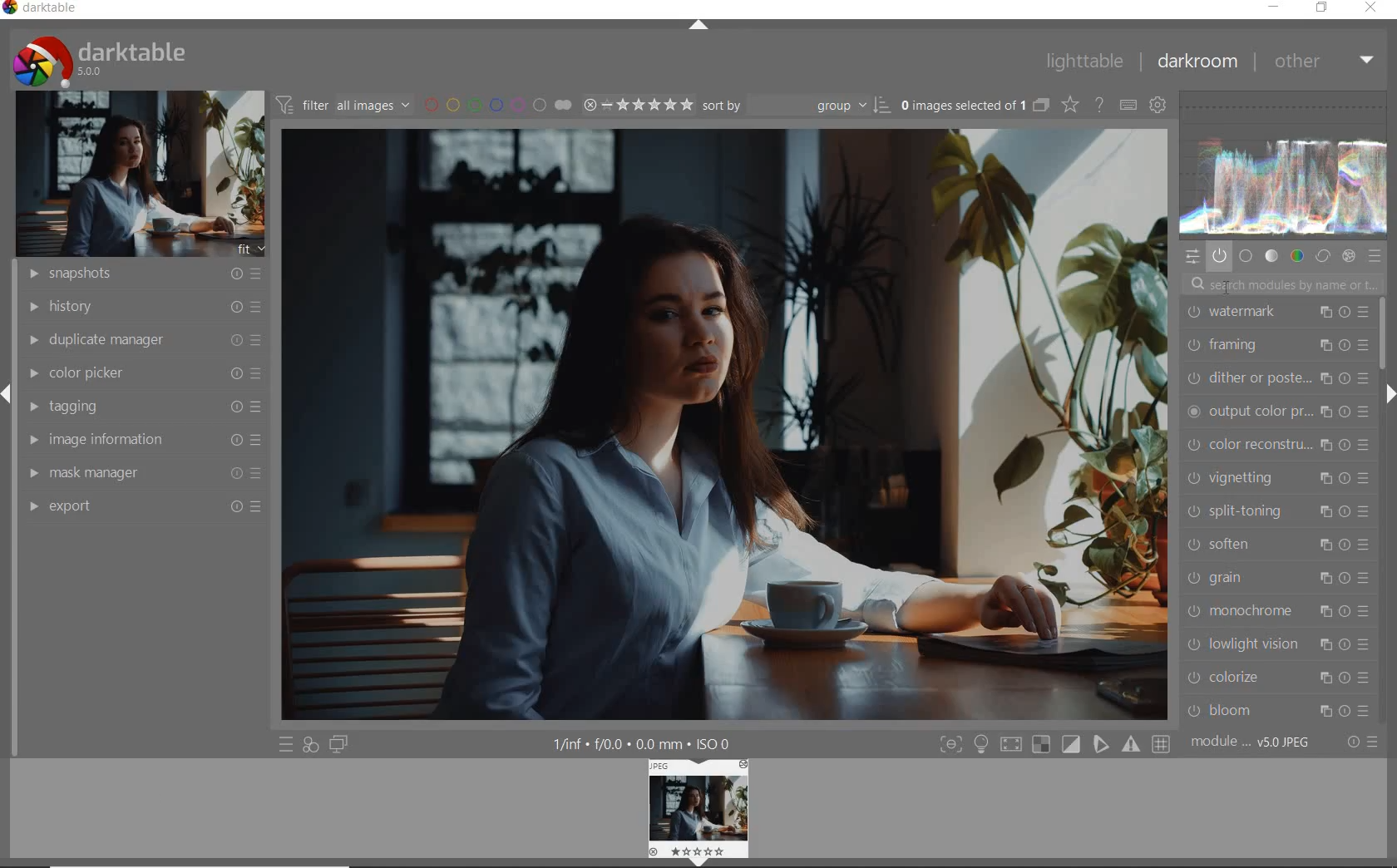 Image resolution: width=1397 pixels, height=868 pixels. What do you see at coordinates (1277, 510) in the screenshot?
I see `split-toning` at bounding box center [1277, 510].